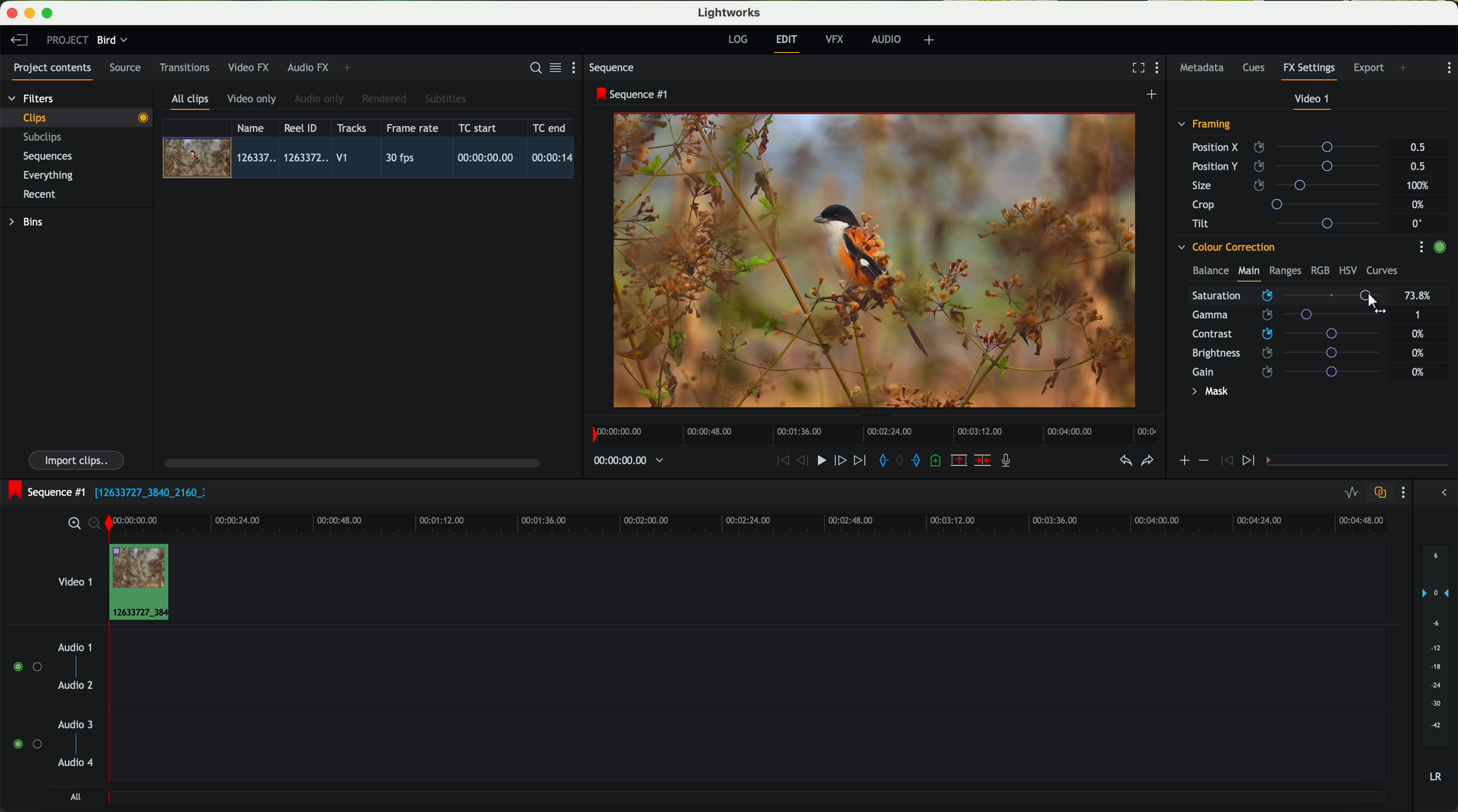 The height and width of the screenshot is (812, 1458). Describe the element at coordinates (1136, 67) in the screenshot. I see `fullscreen` at that location.